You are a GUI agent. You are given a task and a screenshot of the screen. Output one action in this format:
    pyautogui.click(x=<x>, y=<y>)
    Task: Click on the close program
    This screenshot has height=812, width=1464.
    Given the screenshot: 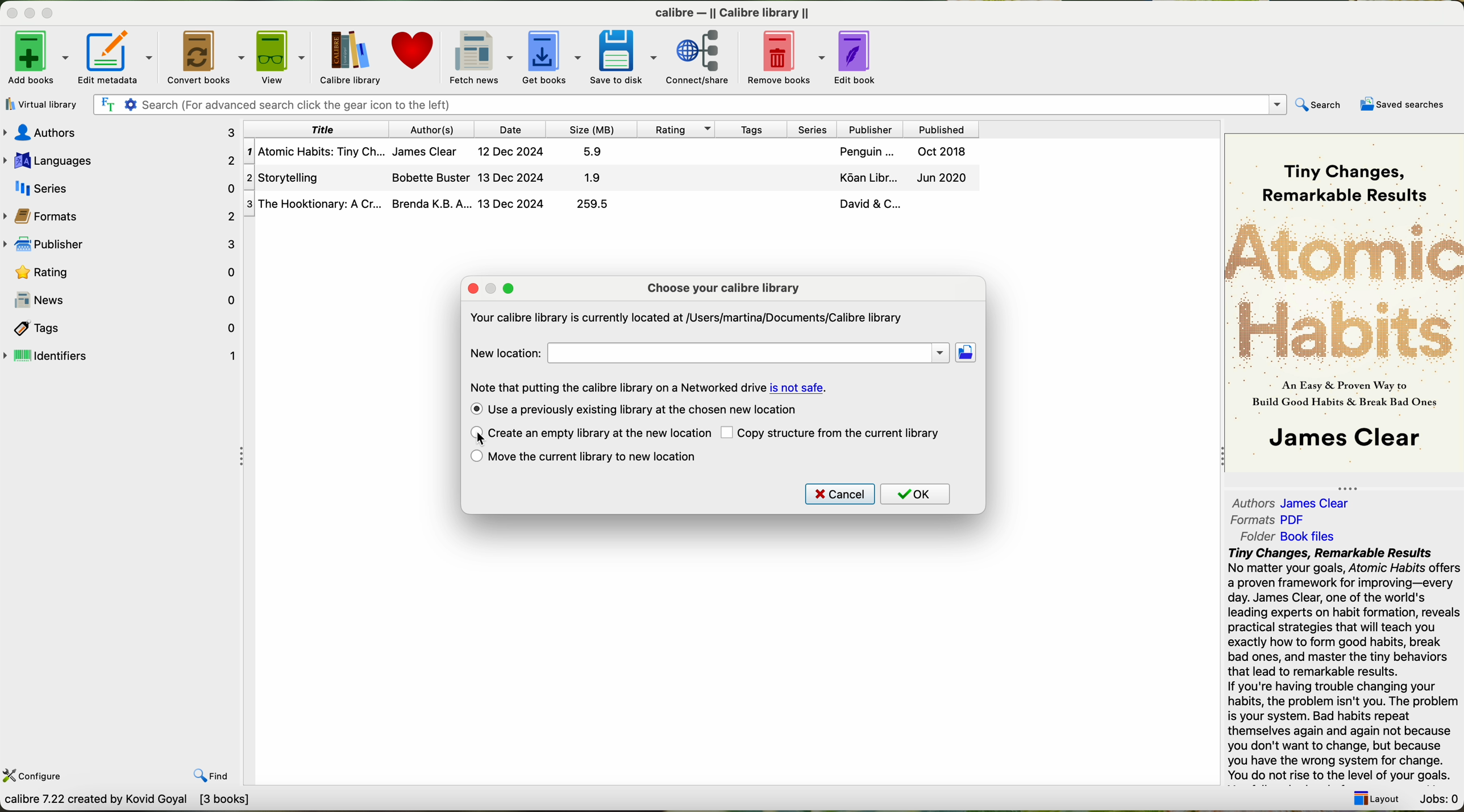 What is the action you would take?
    pyautogui.click(x=10, y=13)
    